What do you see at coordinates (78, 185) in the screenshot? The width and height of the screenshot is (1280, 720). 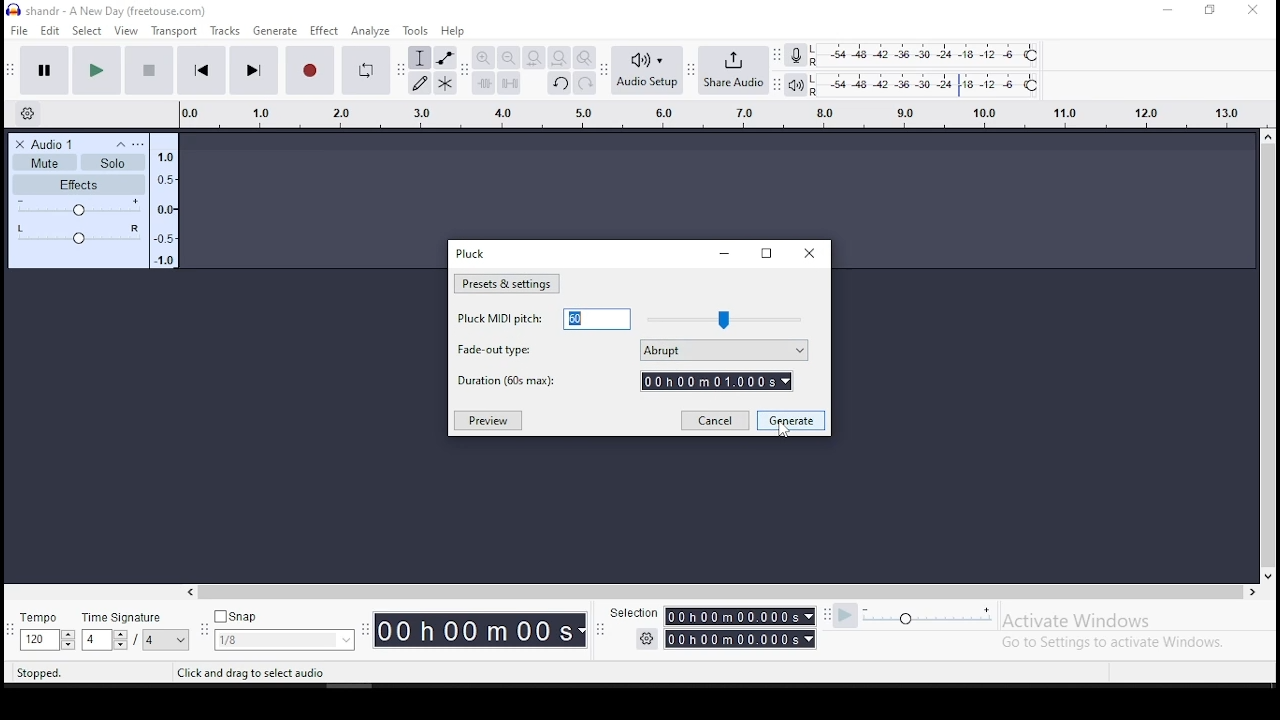 I see `effects` at bounding box center [78, 185].